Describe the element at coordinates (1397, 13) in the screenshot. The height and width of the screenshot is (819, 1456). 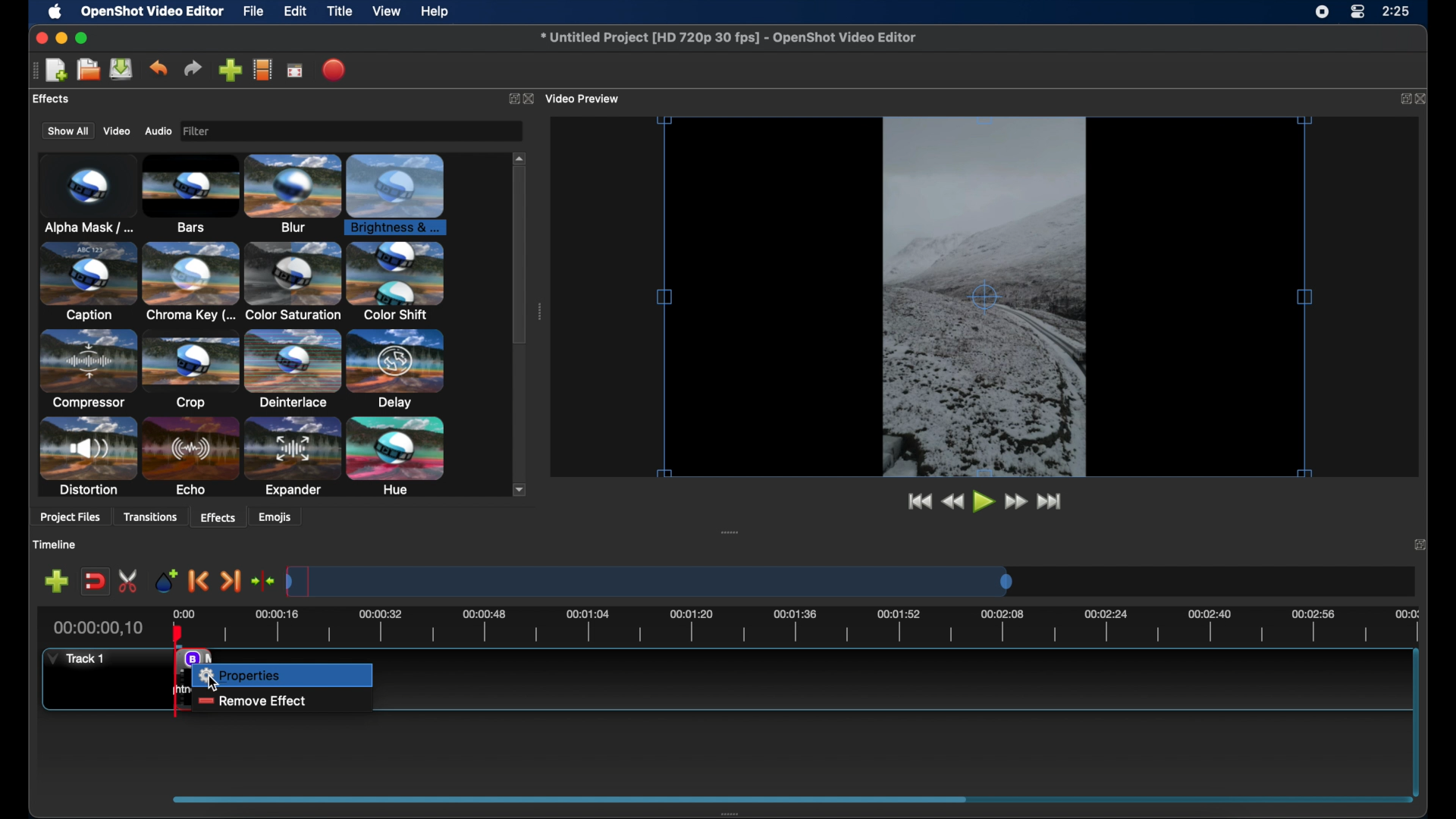
I see `rime` at that location.